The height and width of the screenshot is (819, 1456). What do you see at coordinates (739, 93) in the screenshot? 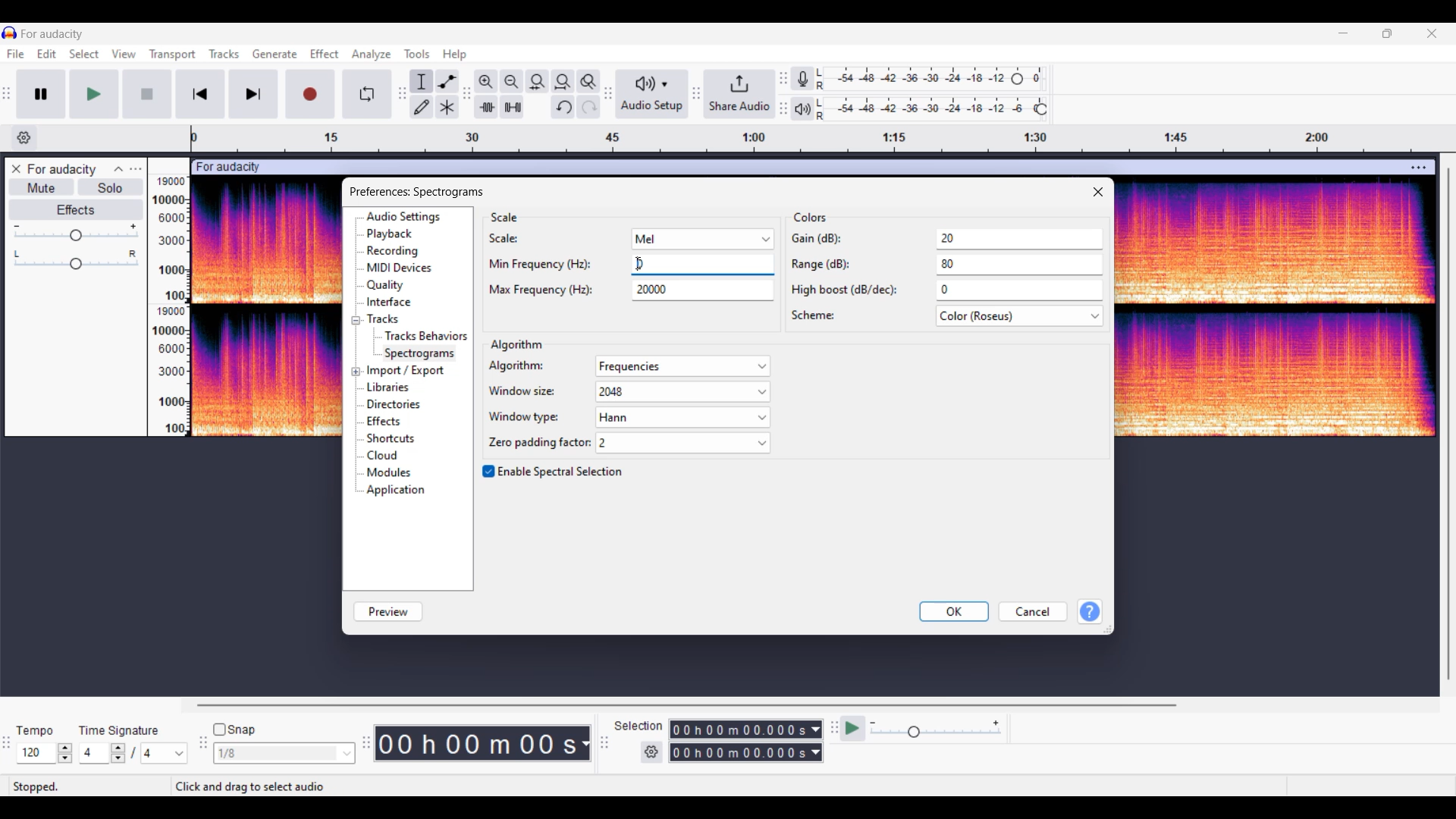
I see `Share audio` at bounding box center [739, 93].